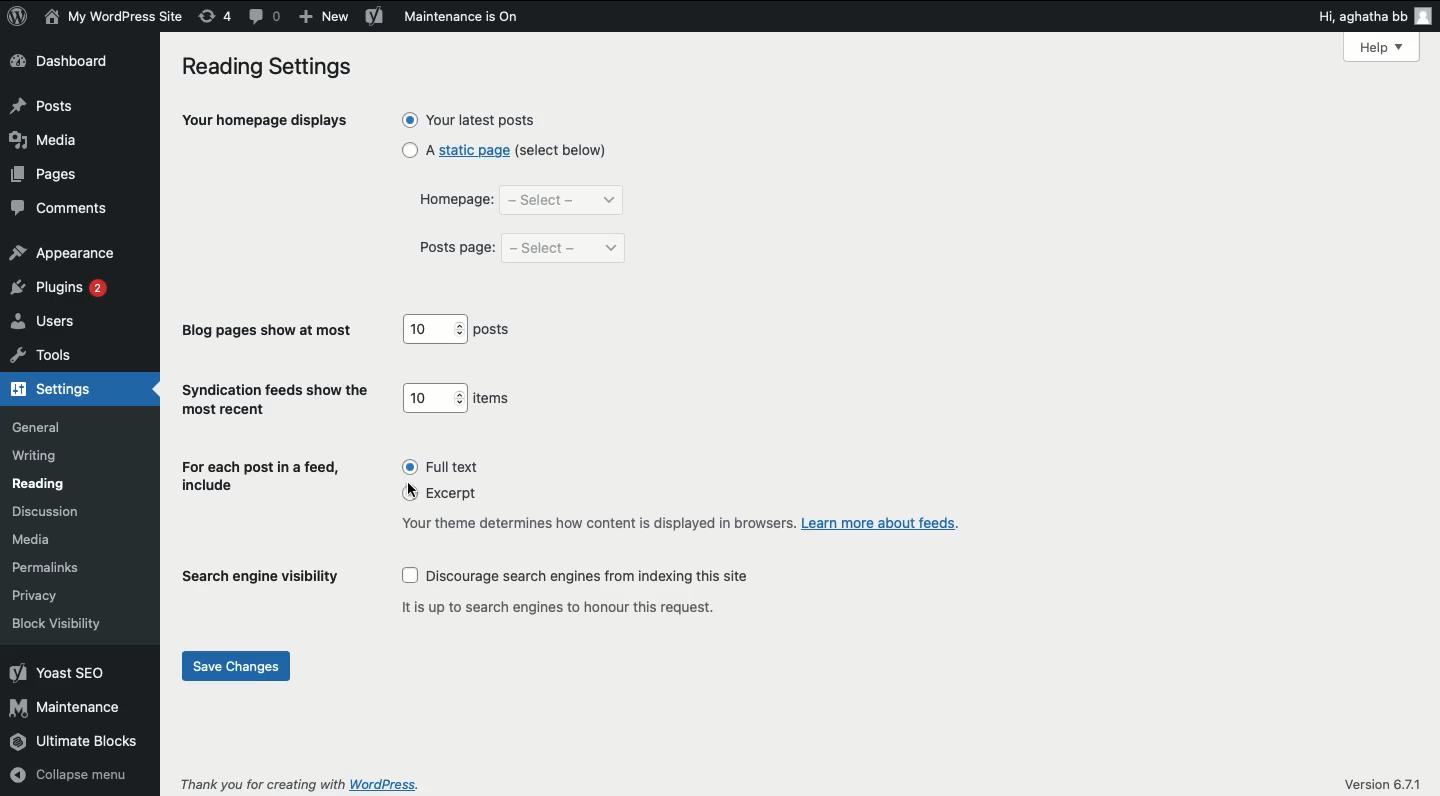 The height and width of the screenshot is (796, 1440). What do you see at coordinates (301, 781) in the screenshot?
I see `thank you for creating with wordpress` at bounding box center [301, 781].